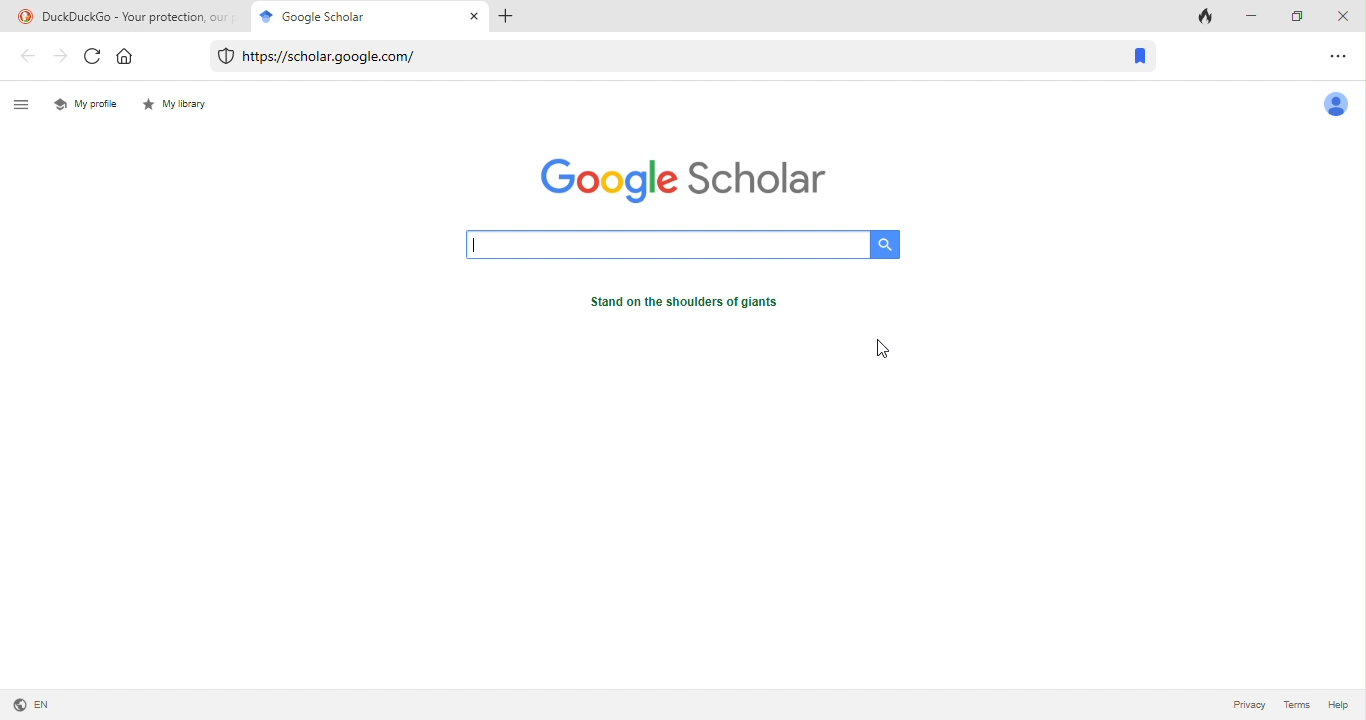  Describe the element at coordinates (669, 246) in the screenshot. I see `search bar` at that location.